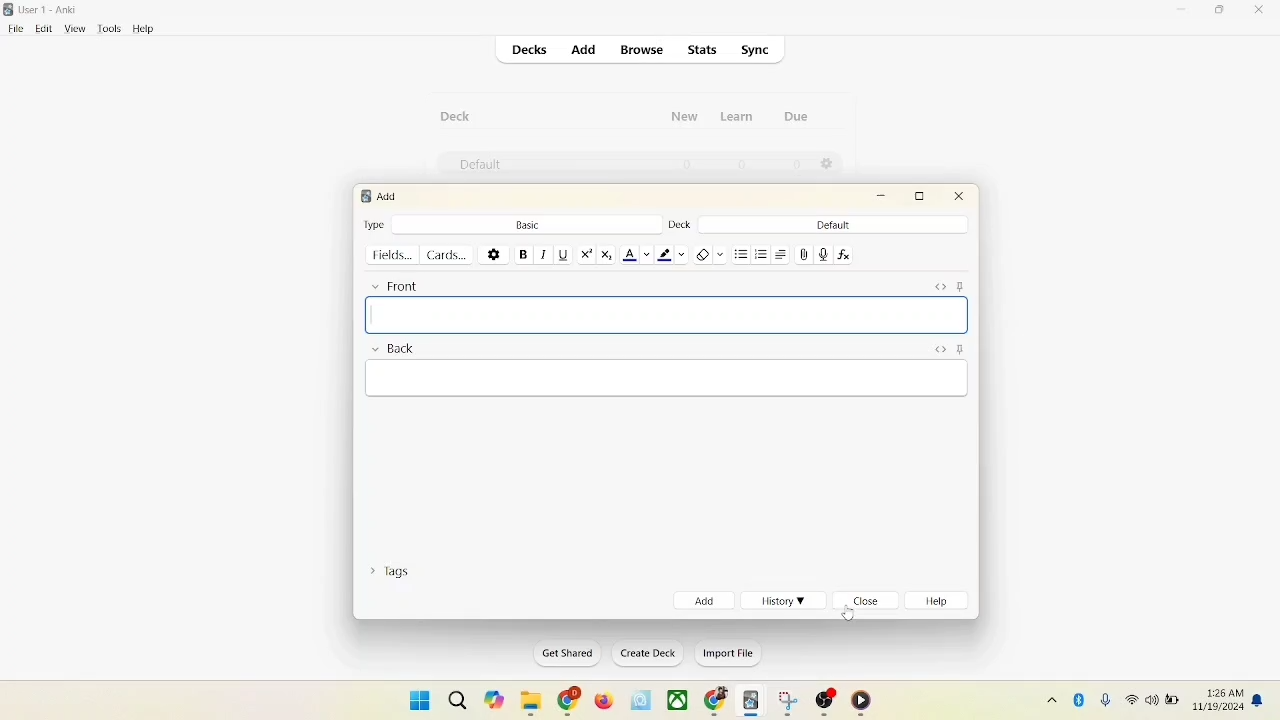  What do you see at coordinates (762, 252) in the screenshot?
I see `ordered list` at bounding box center [762, 252].